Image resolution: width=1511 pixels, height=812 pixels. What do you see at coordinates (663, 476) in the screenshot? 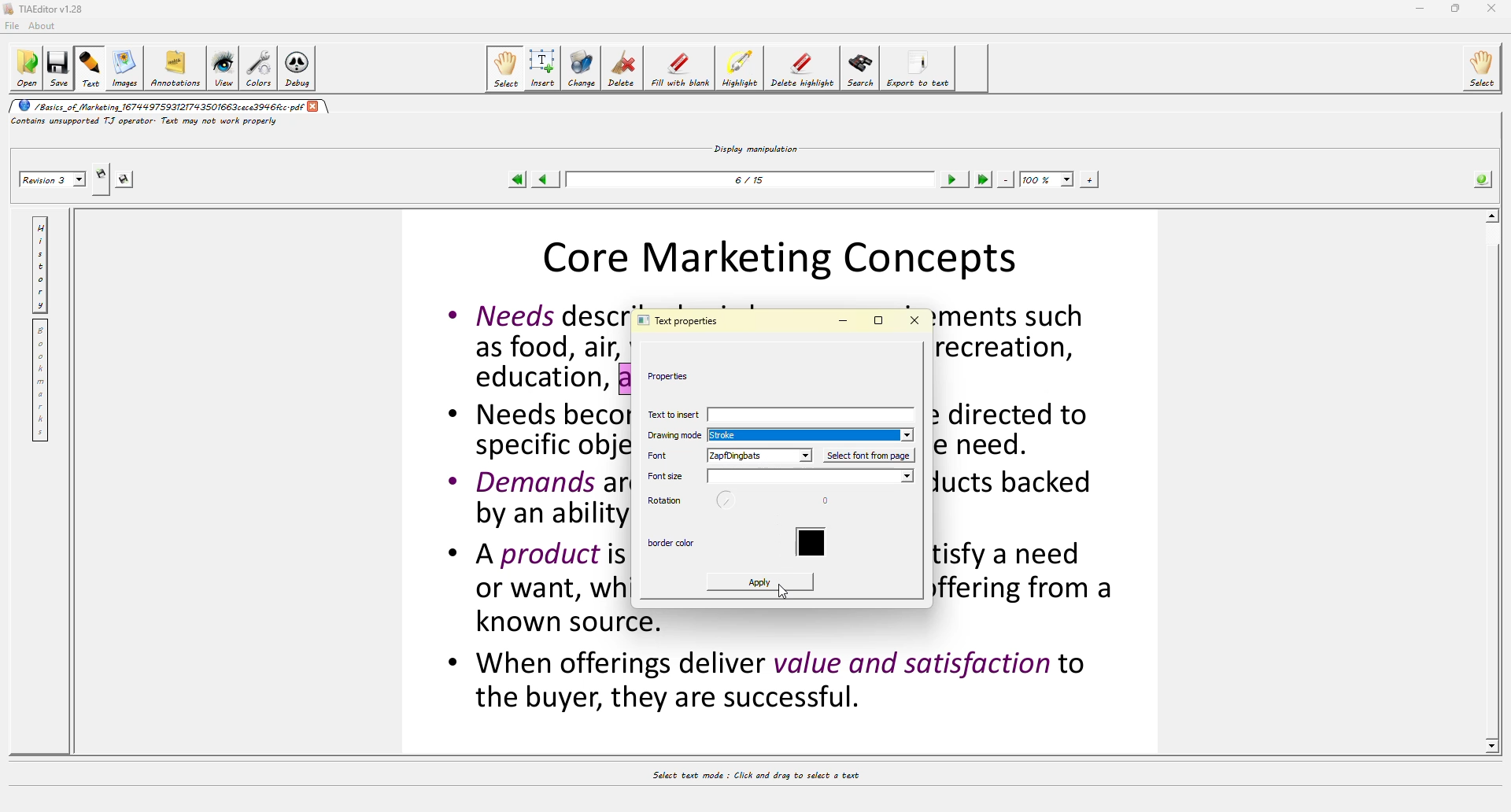
I see `font size` at bounding box center [663, 476].